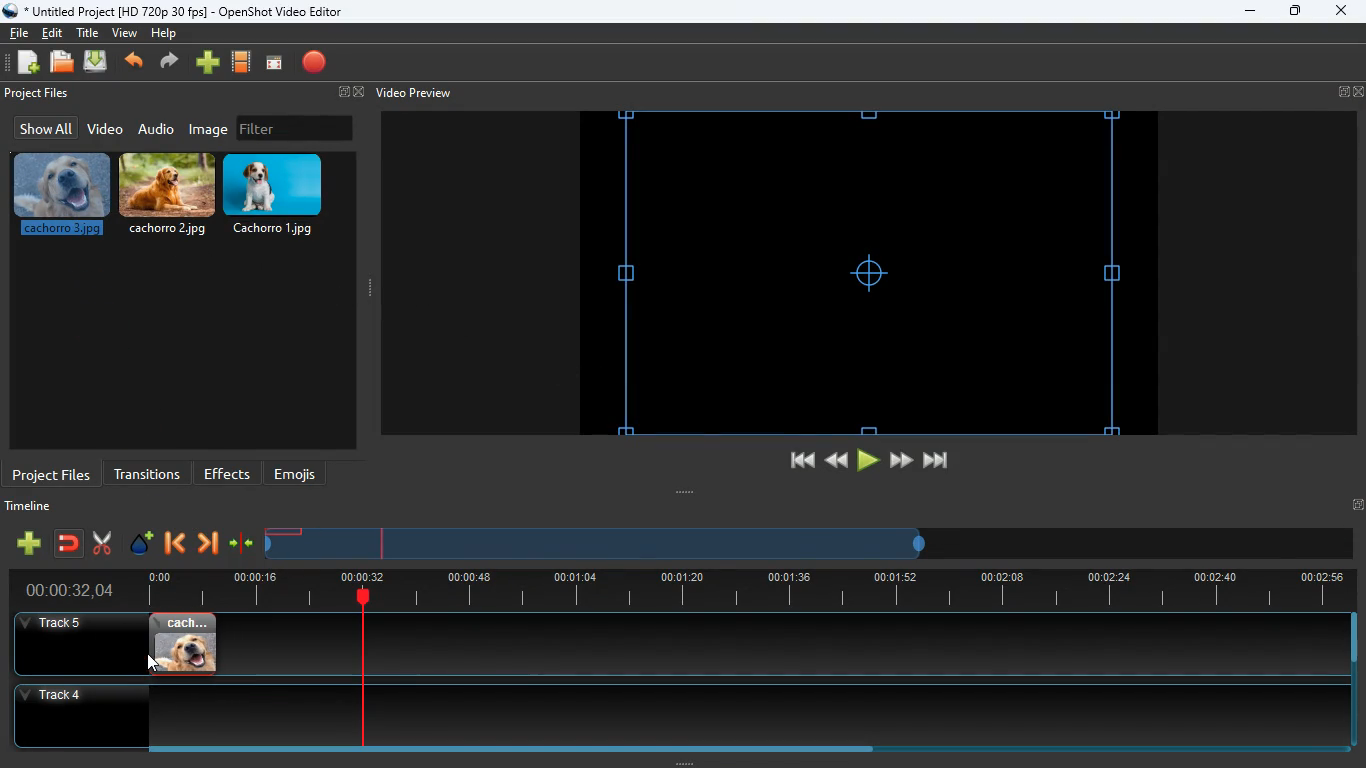 This screenshot has height=768, width=1366. I want to click on screen, so click(868, 273).